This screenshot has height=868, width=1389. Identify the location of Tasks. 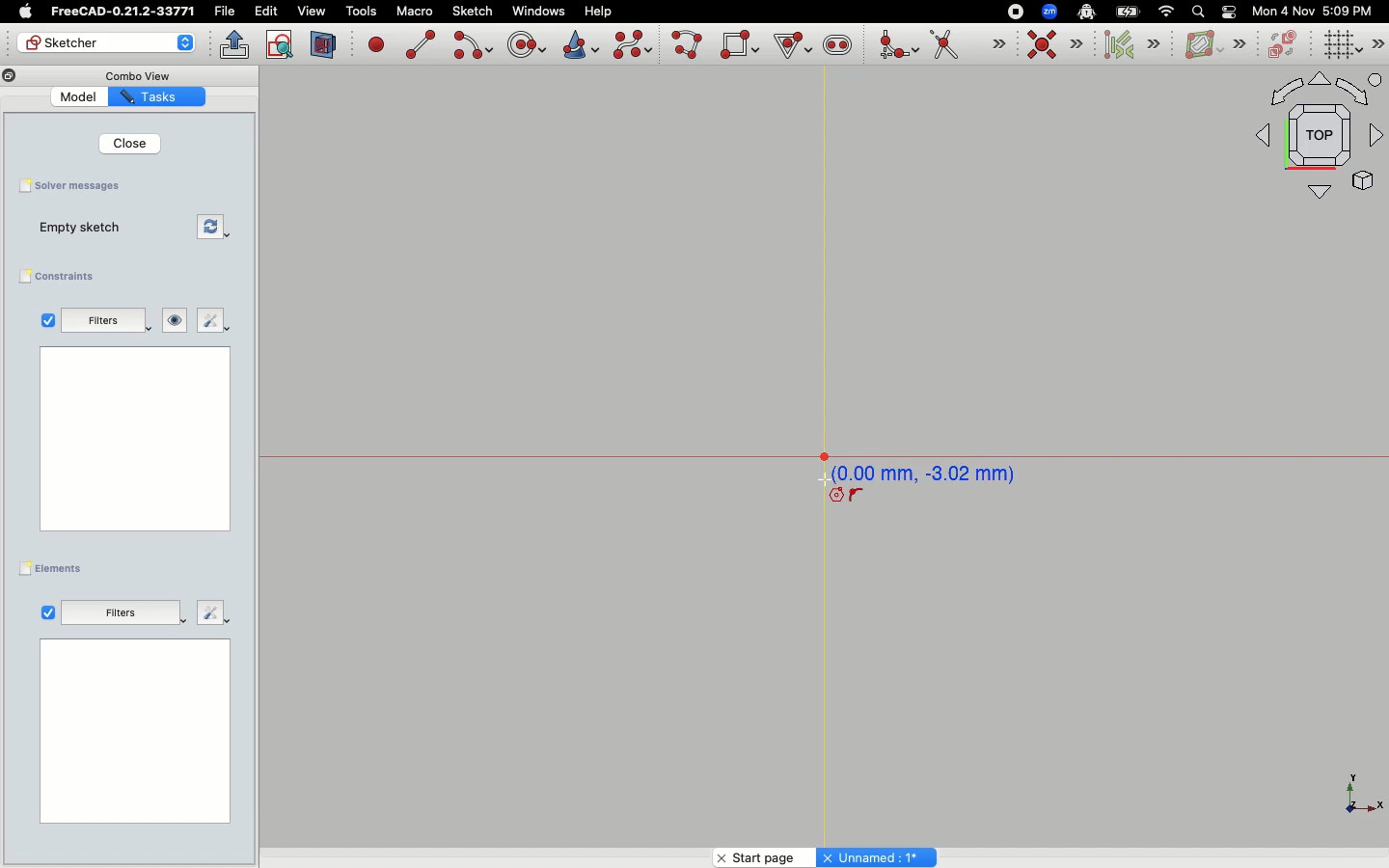
(158, 97).